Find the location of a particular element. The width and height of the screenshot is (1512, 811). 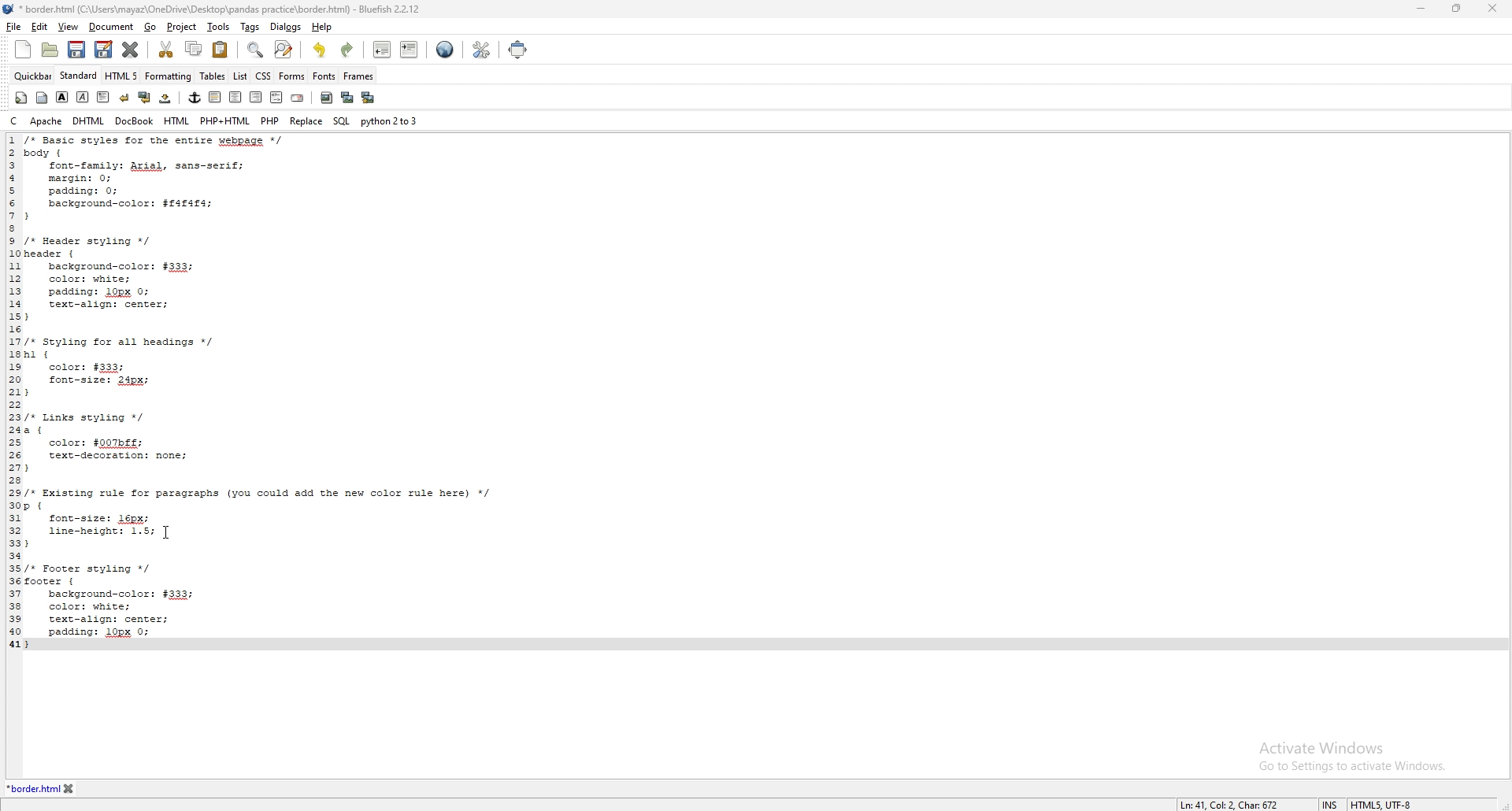

close tab is located at coordinates (91, 788).